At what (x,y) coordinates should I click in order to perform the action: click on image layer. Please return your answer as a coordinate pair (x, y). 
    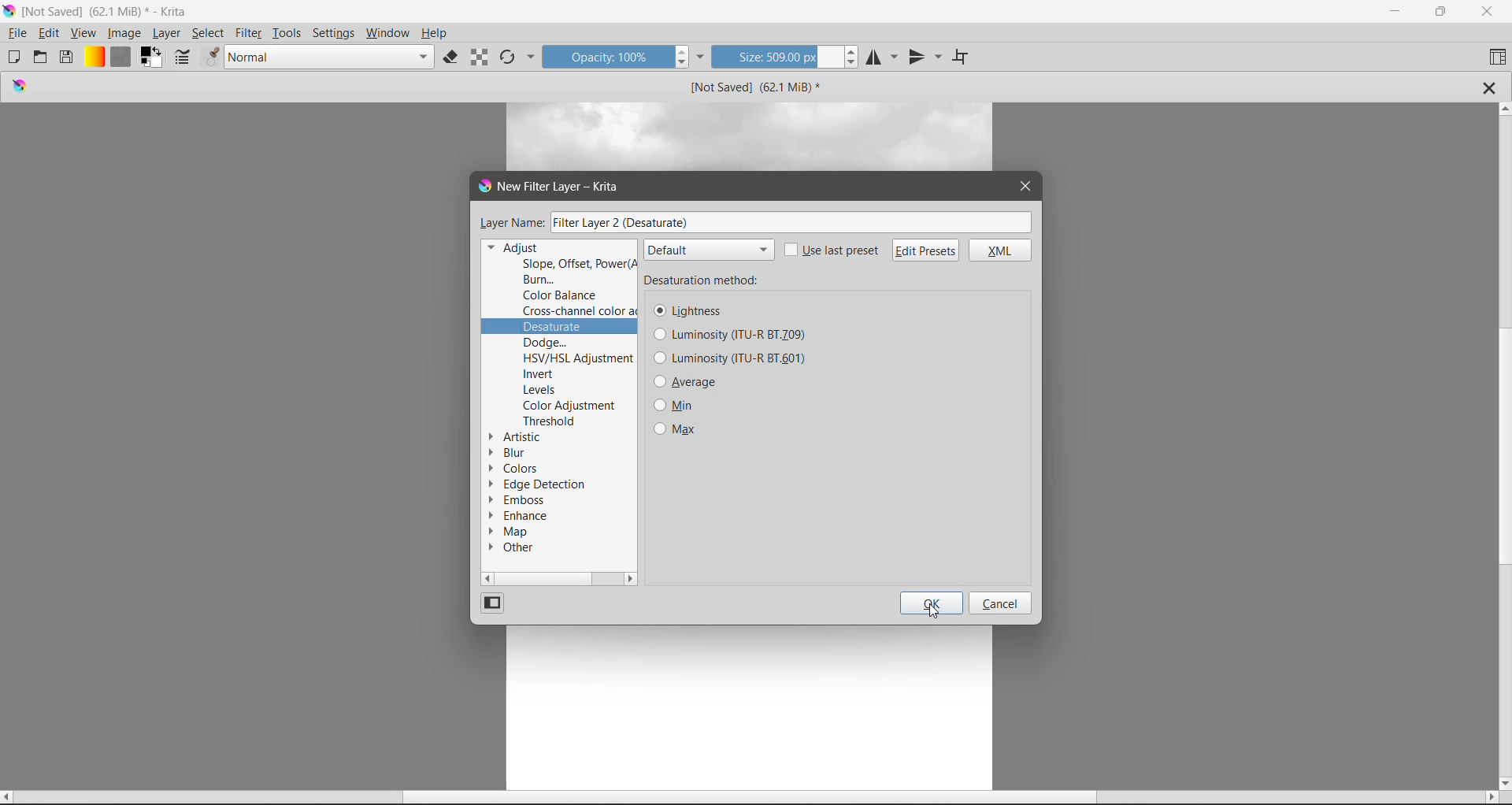
    Looking at the image, I should click on (749, 135).